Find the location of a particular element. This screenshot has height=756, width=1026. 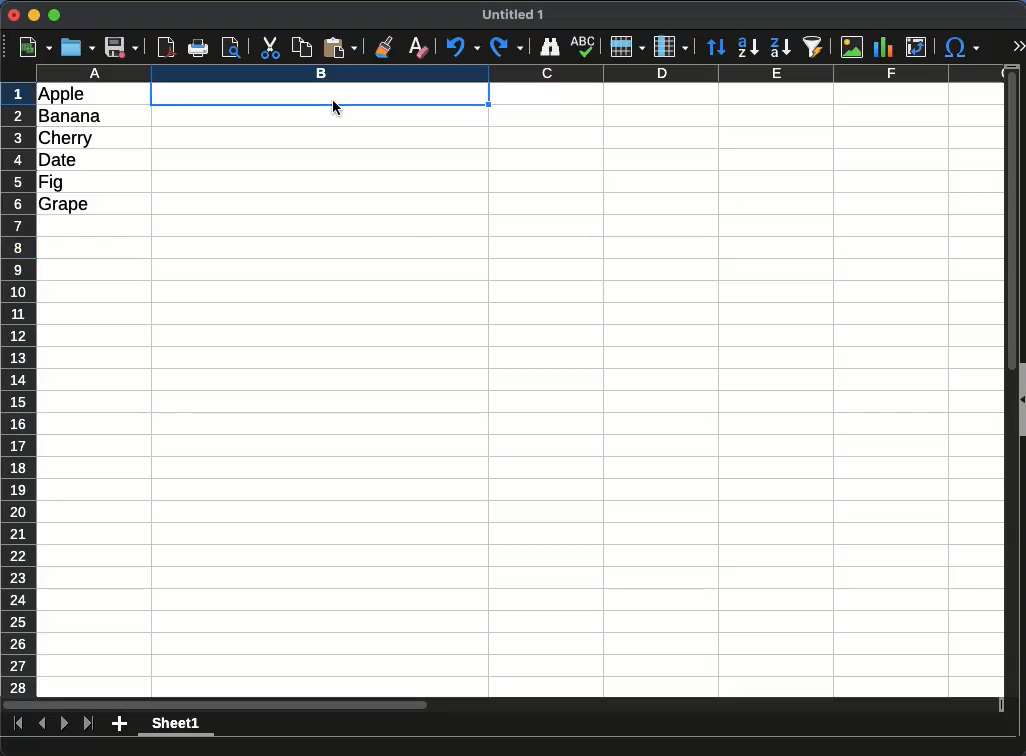

date is located at coordinates (58, 160).